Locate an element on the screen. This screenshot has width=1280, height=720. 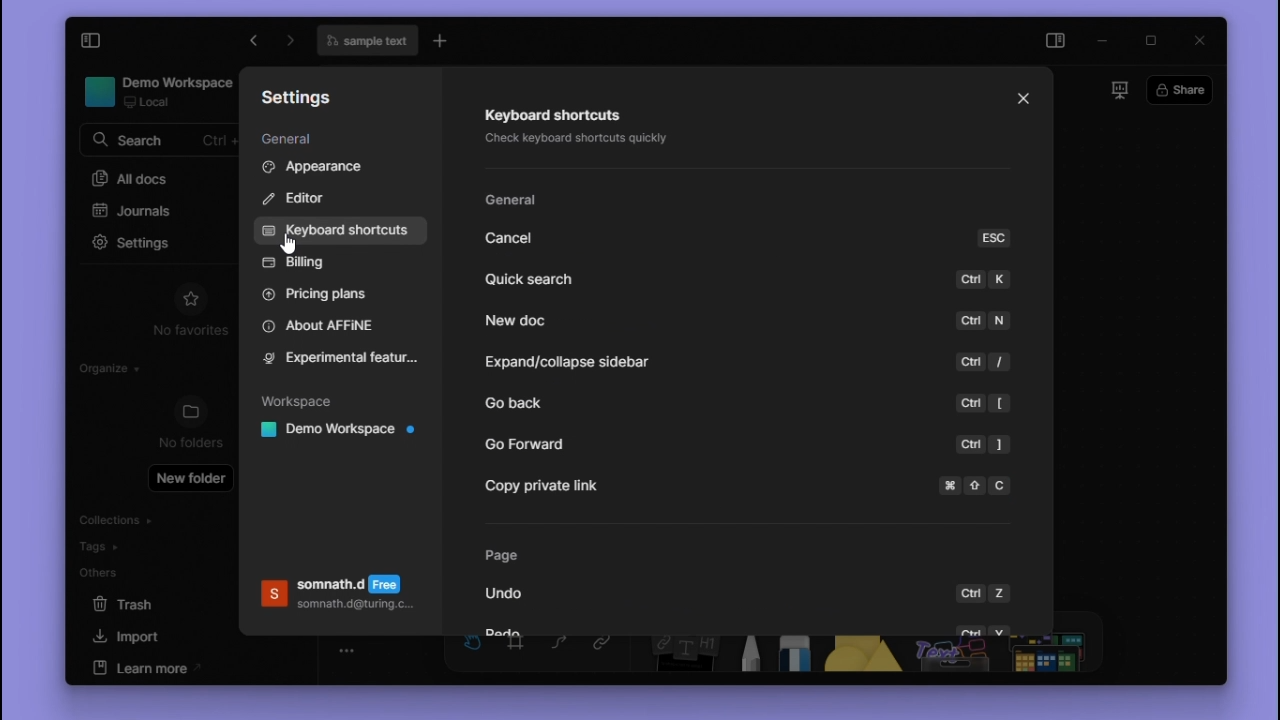
settings is located at coordinates (125, 242).